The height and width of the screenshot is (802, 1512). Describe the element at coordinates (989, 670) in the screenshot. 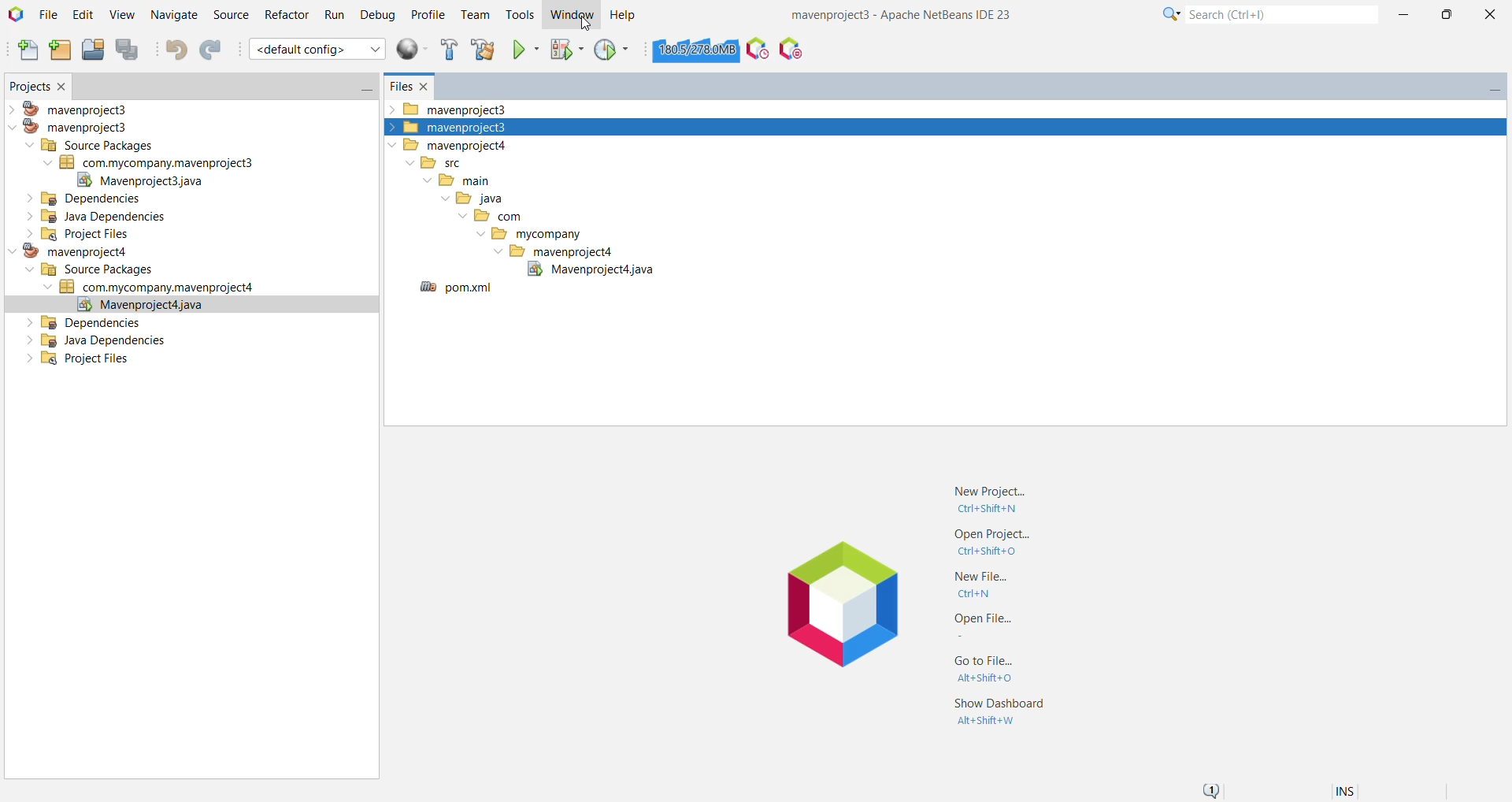

I see `Go to File` at that location.